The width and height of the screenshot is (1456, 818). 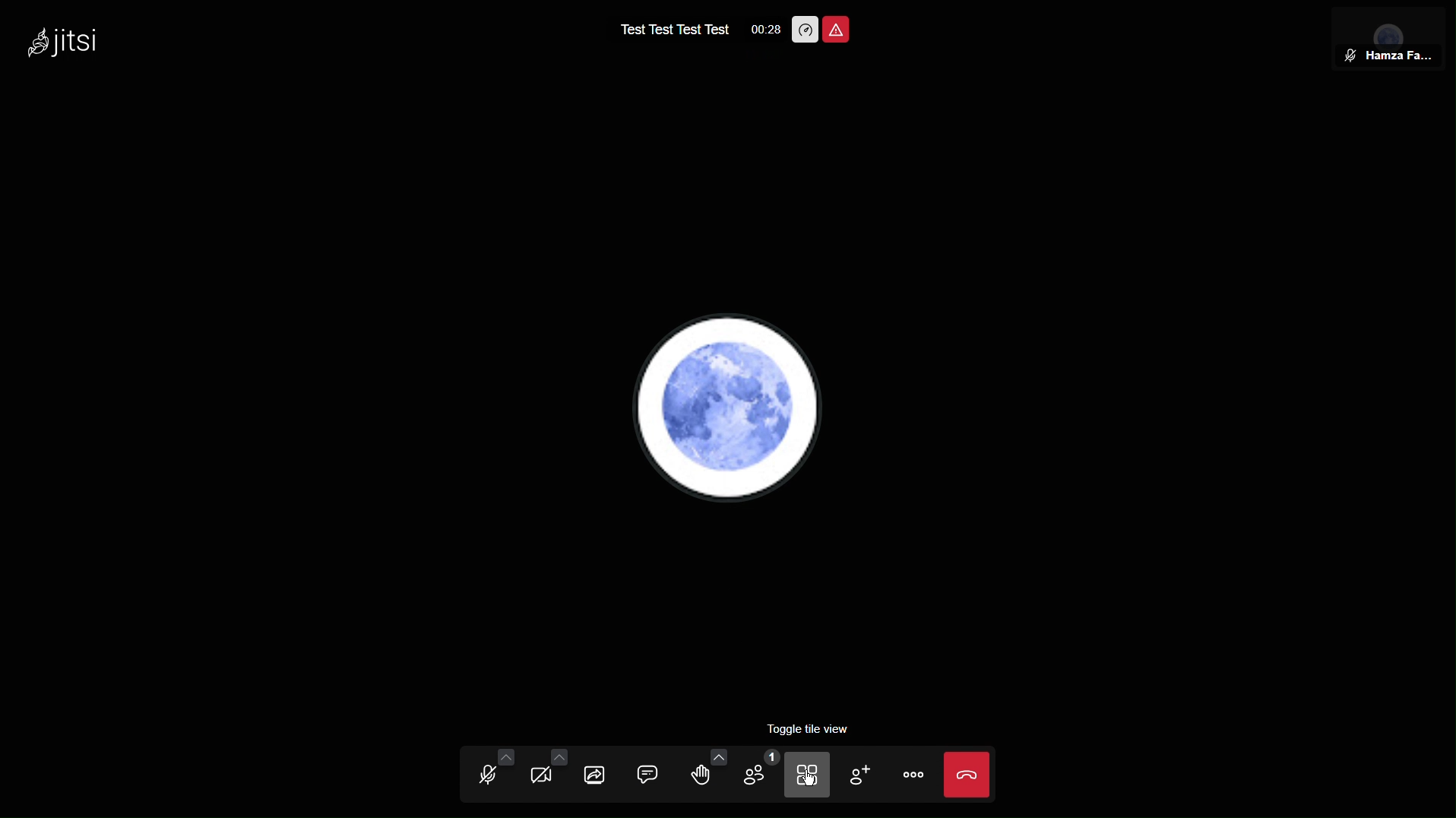 What do you see at coordinates (758, 775) in the screenshot?
I see `Members` at bounding box center [758, 775].